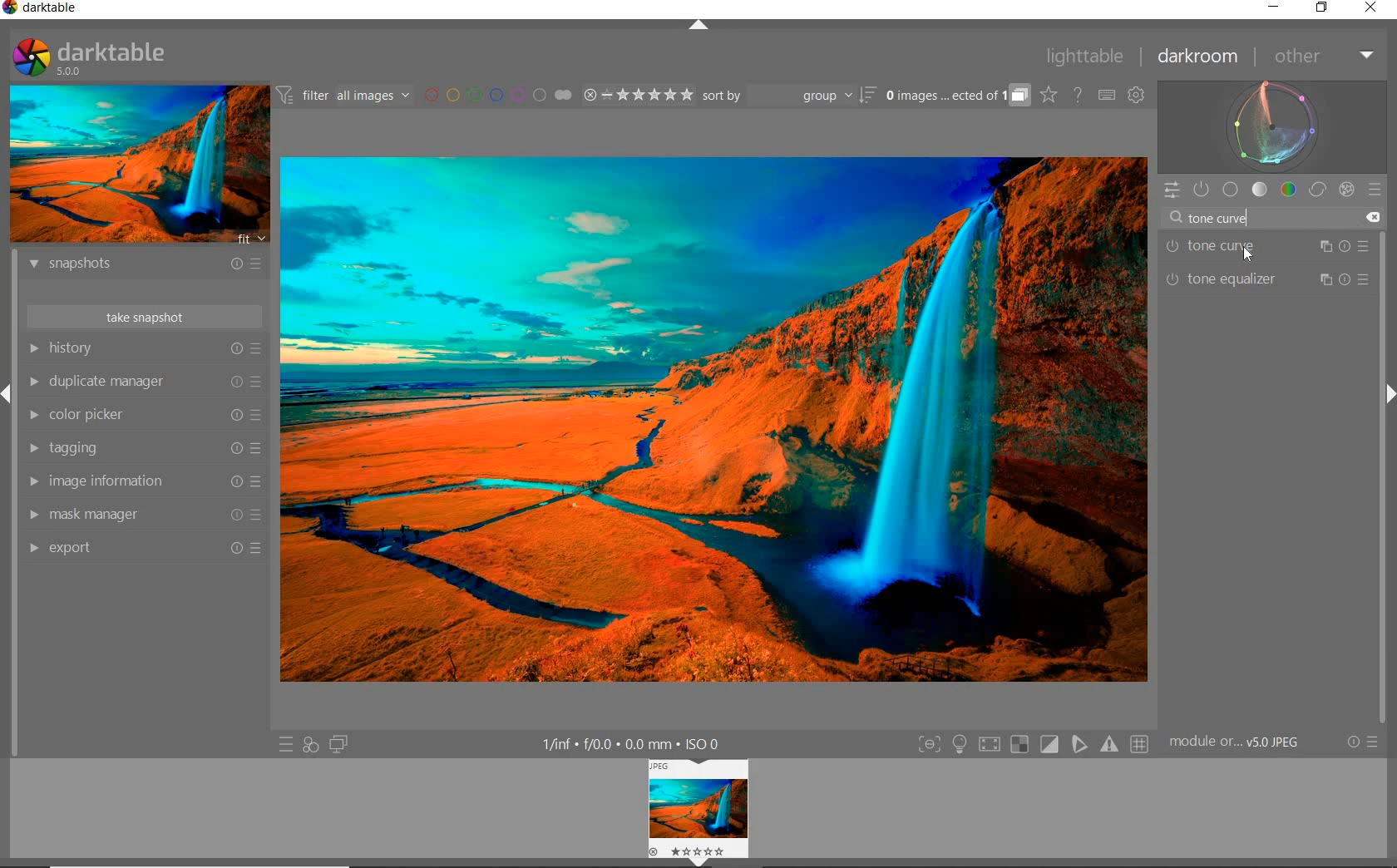 Image resolution: width=1397 pixels, height=868 pixels. Describe the element at coordinates (1136, 95) in the screenshot. I see `SHOW GLOBAL PREFERENCES` at that location.